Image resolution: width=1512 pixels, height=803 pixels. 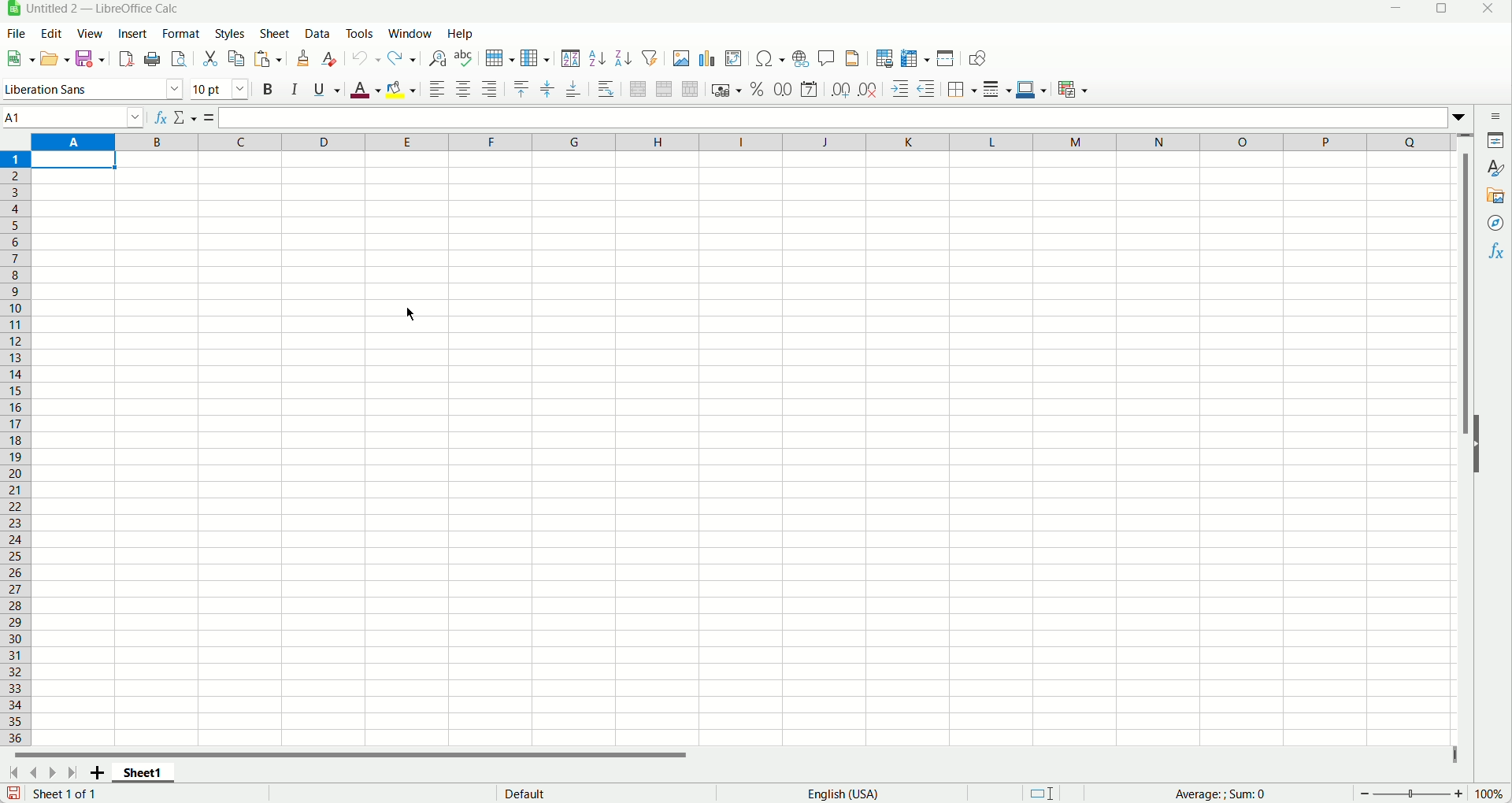 What do you see at coordinates (1490, 13) in the screenshot?
I see `Close` at bounding box center [1490, 13].